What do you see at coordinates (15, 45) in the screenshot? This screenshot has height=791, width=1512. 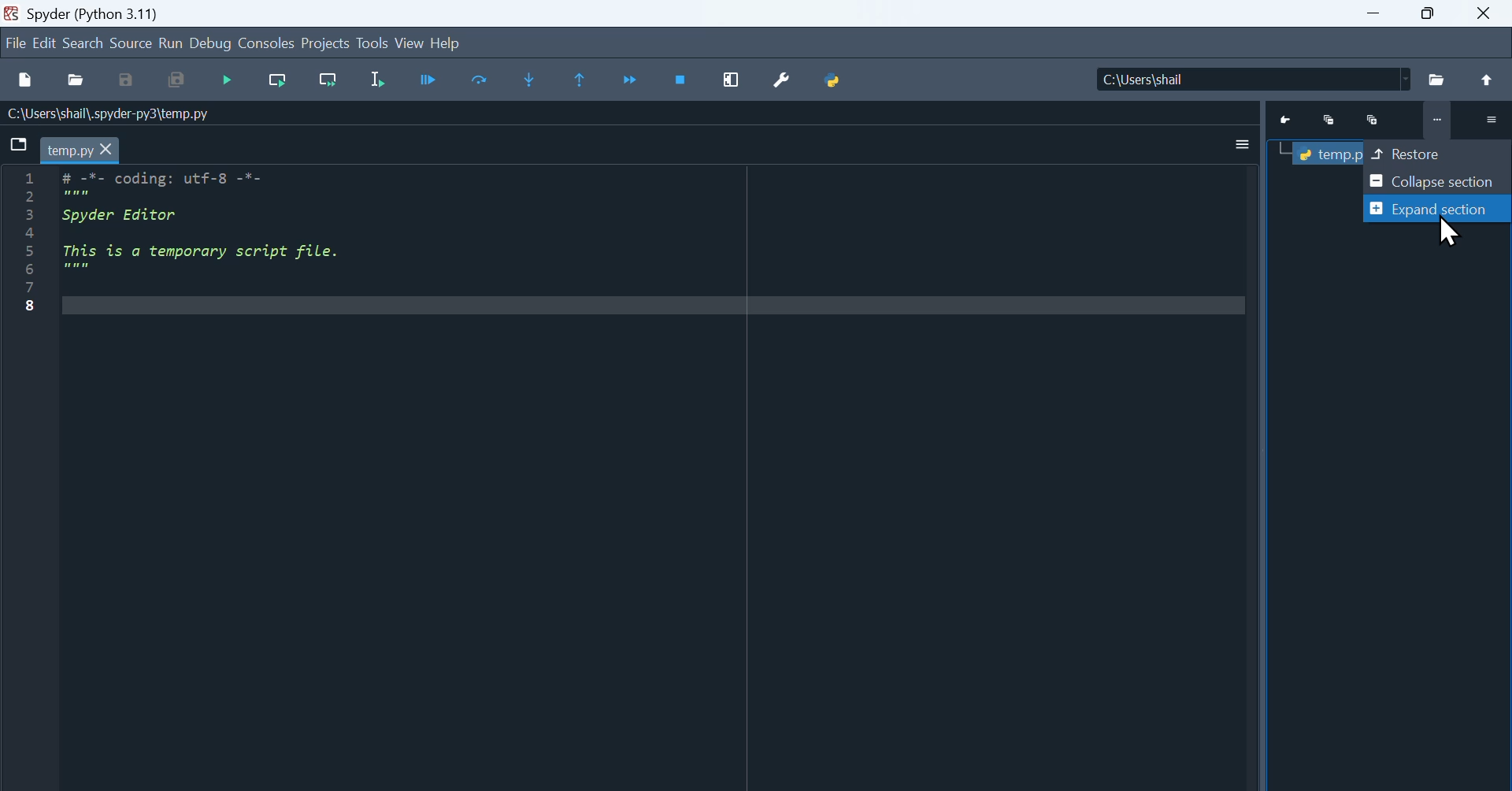 I see `file` at bounding box center [15, 45].